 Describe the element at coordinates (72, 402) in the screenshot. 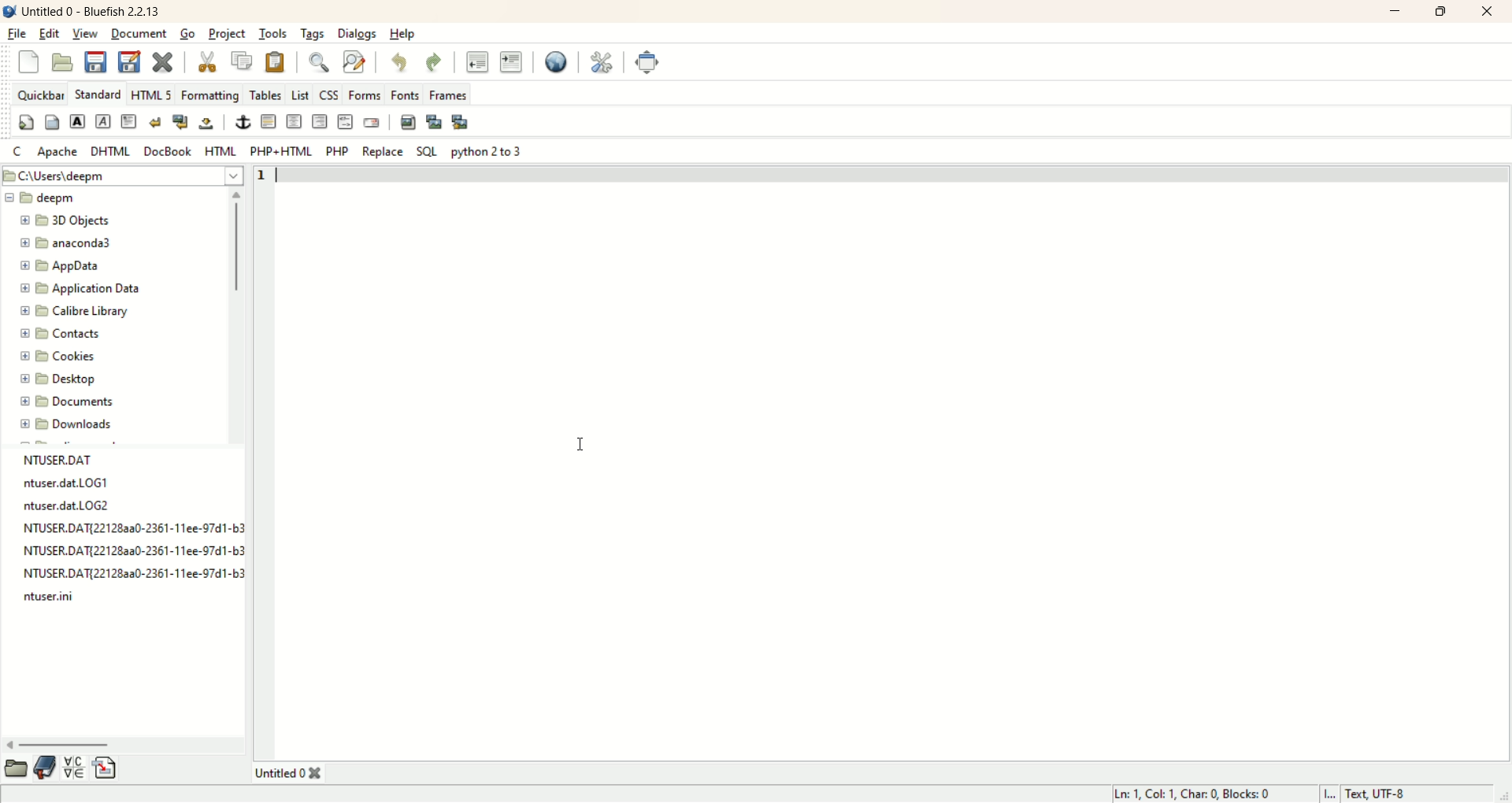

I see `documents` at that location.